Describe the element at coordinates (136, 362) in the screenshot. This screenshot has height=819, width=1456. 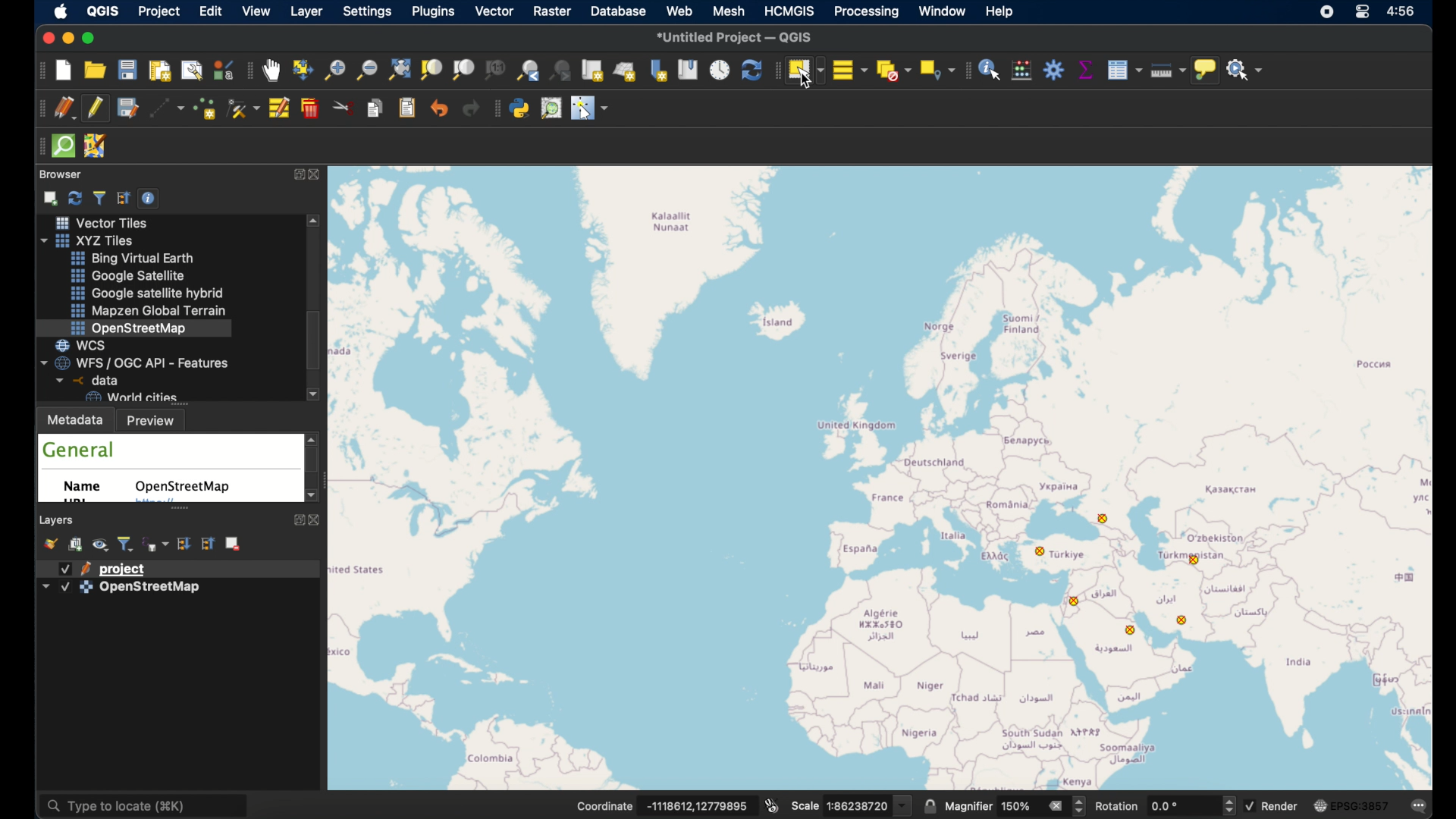
I see `wfs/ogcapi - features` at that location.